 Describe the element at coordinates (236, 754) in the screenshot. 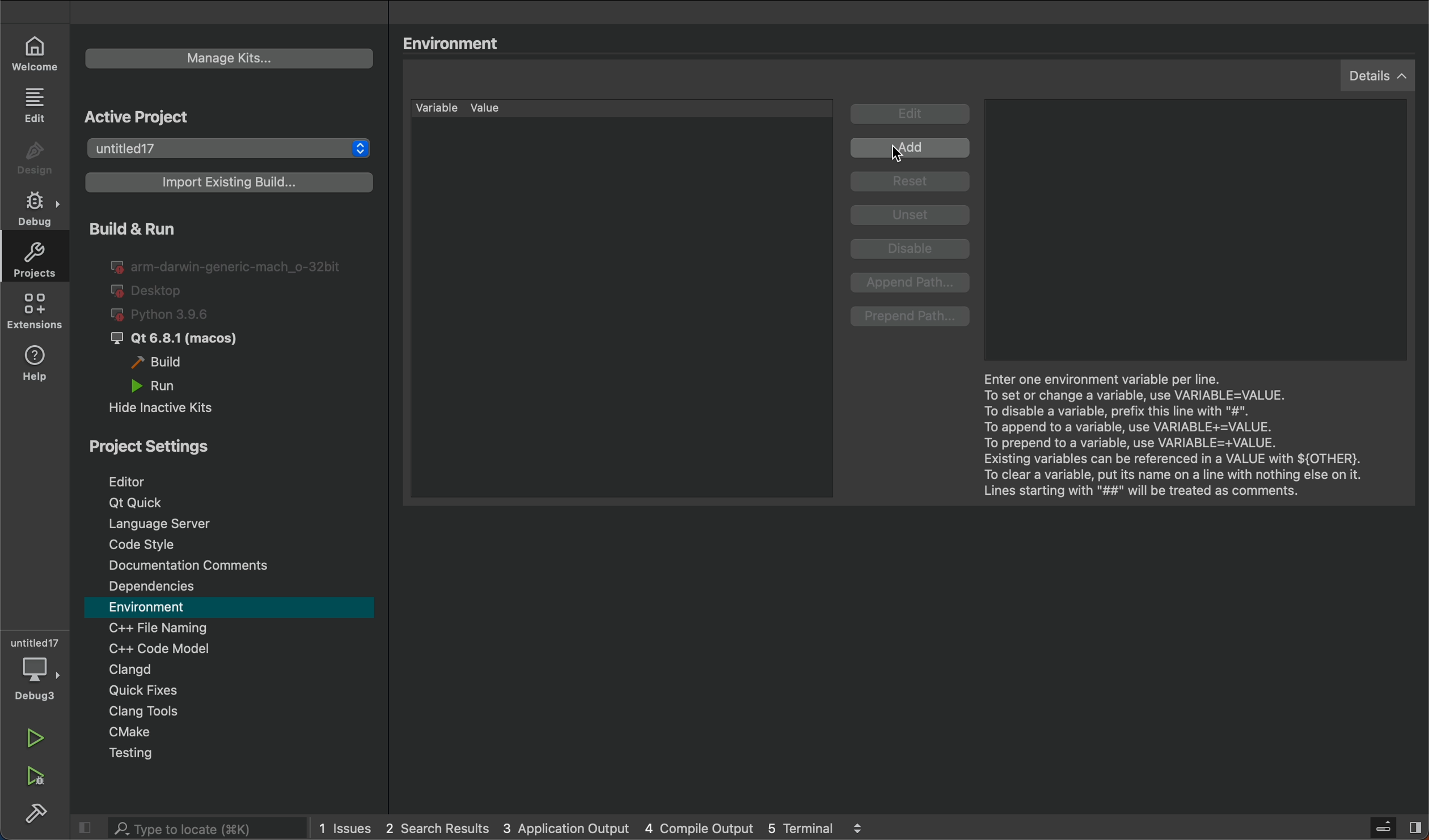

I see `testing` at that location.